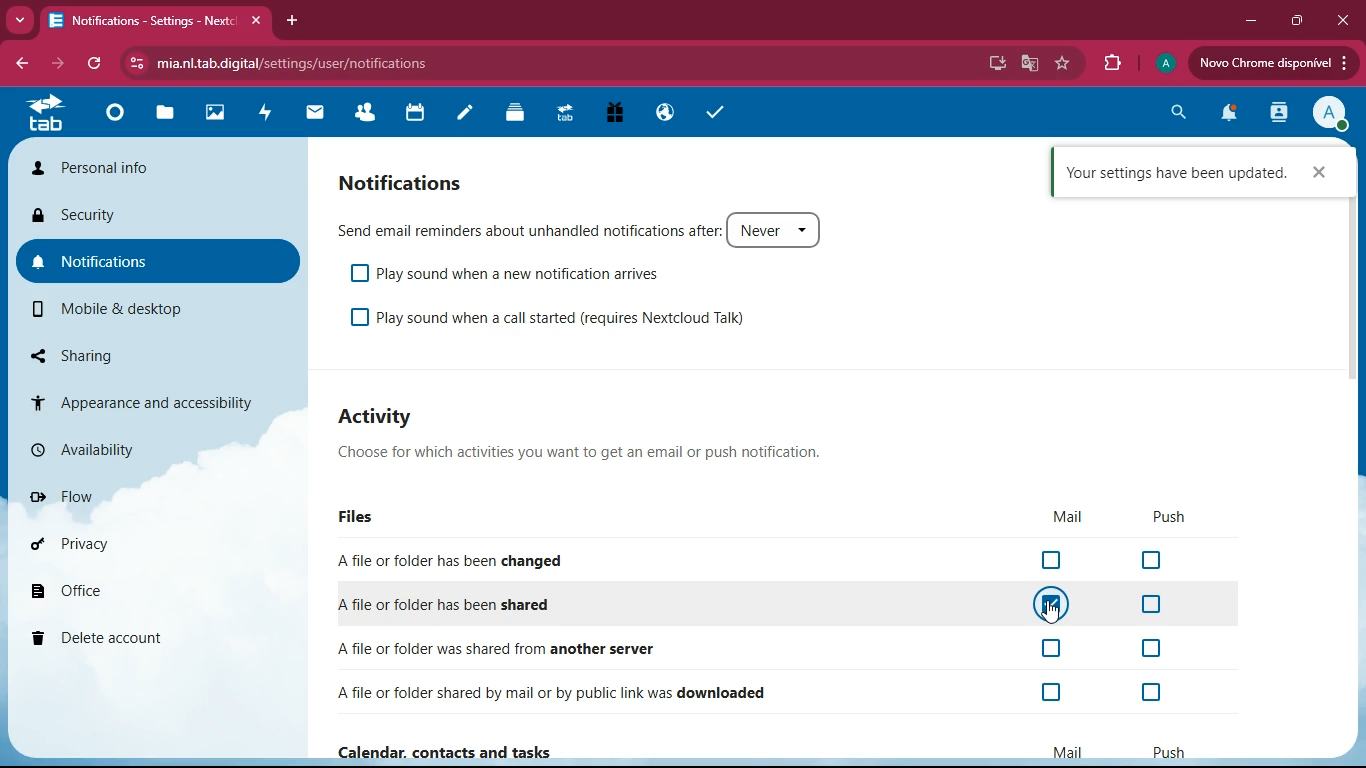 Image resolution: width=1366 pixels, height=768 pixels. Describe the element at coordinates (460, 603) in the screenshot. I see `shared` at that location.